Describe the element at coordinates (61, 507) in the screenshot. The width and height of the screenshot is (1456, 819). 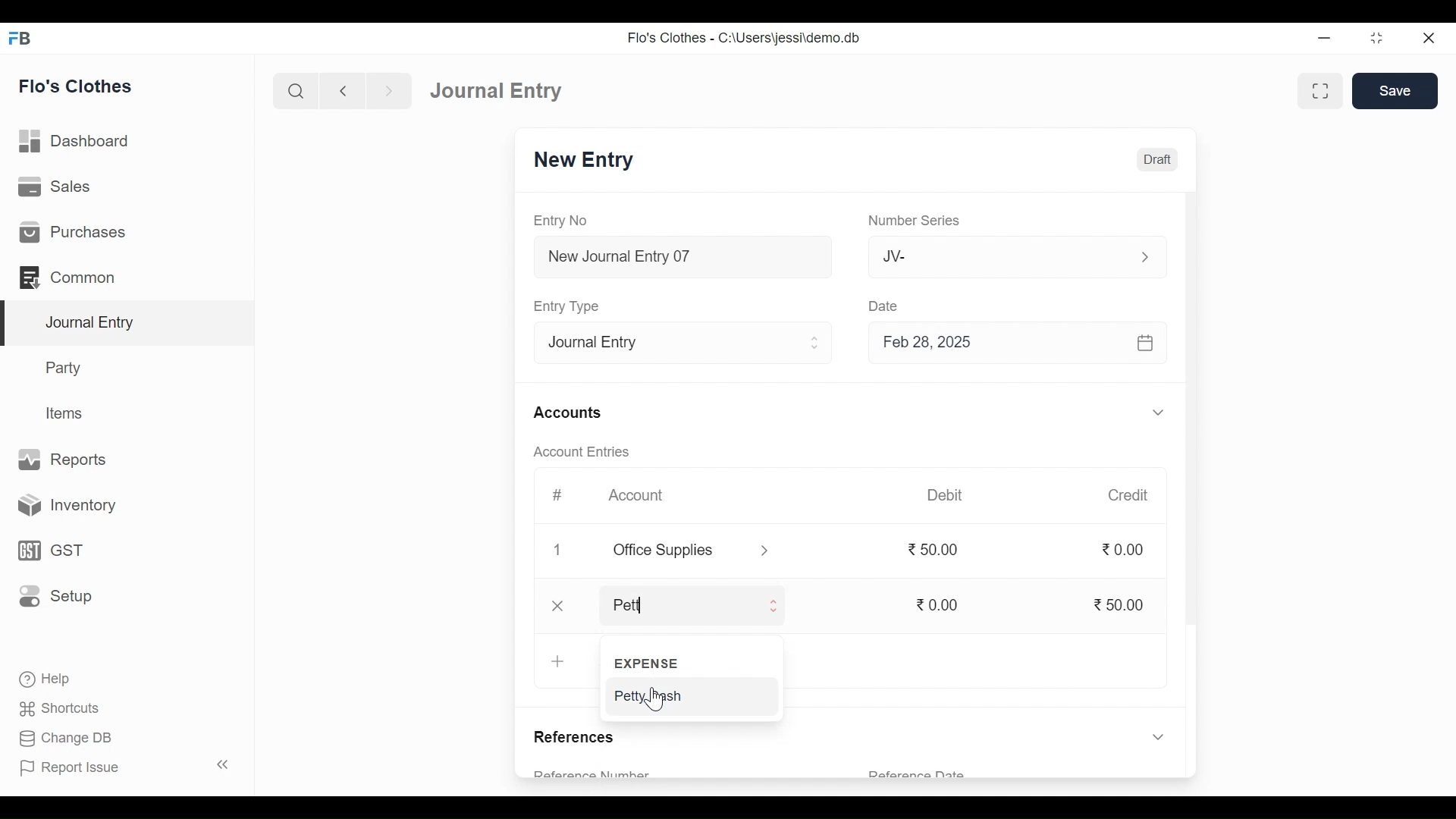
I see `Inventory` at that location.